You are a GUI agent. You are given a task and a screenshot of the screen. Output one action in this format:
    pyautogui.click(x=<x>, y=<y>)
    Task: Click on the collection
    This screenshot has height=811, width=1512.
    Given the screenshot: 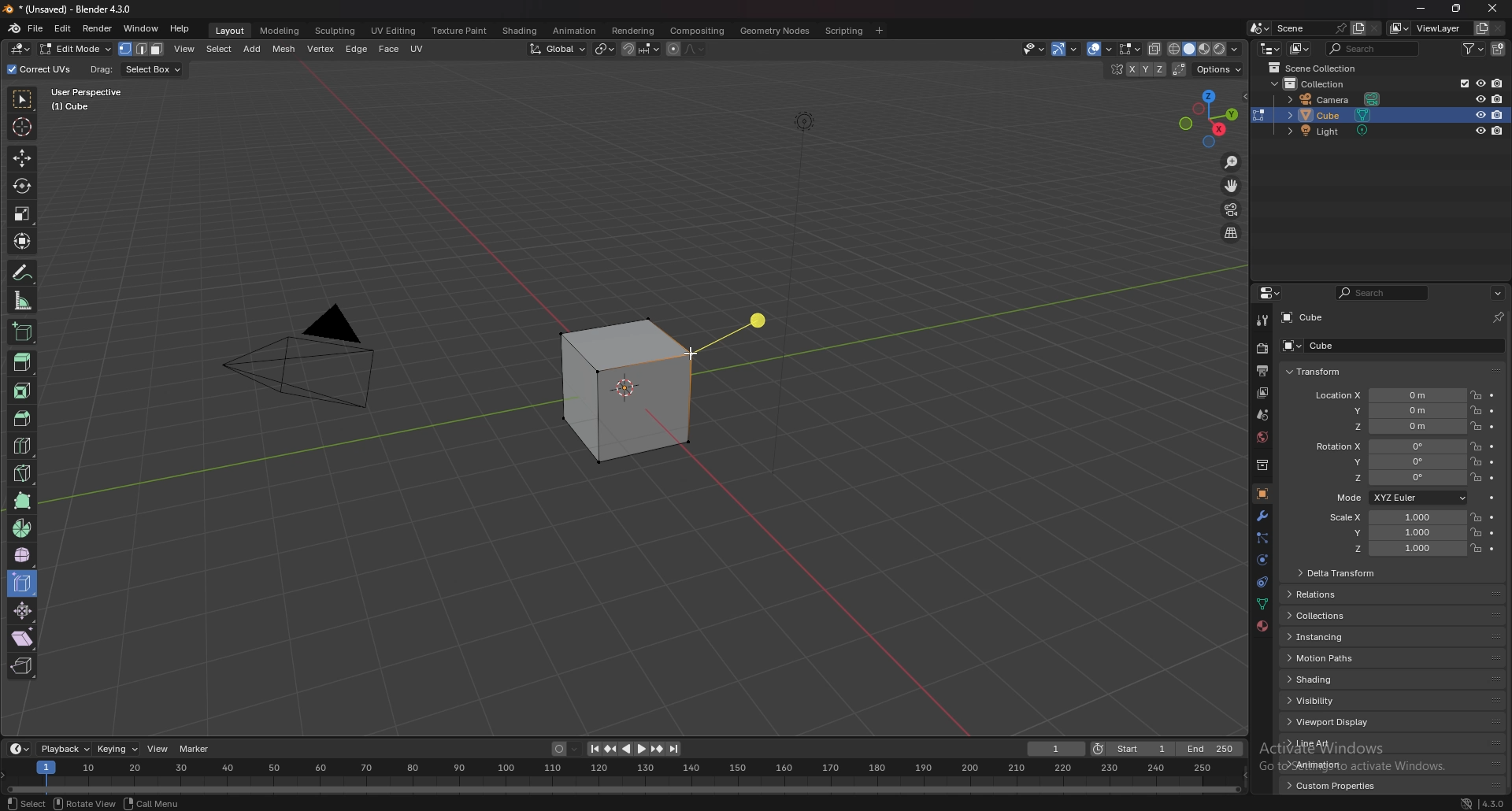 What is the action you would take?
    pyautogui.click(x=1317, y=83)
    